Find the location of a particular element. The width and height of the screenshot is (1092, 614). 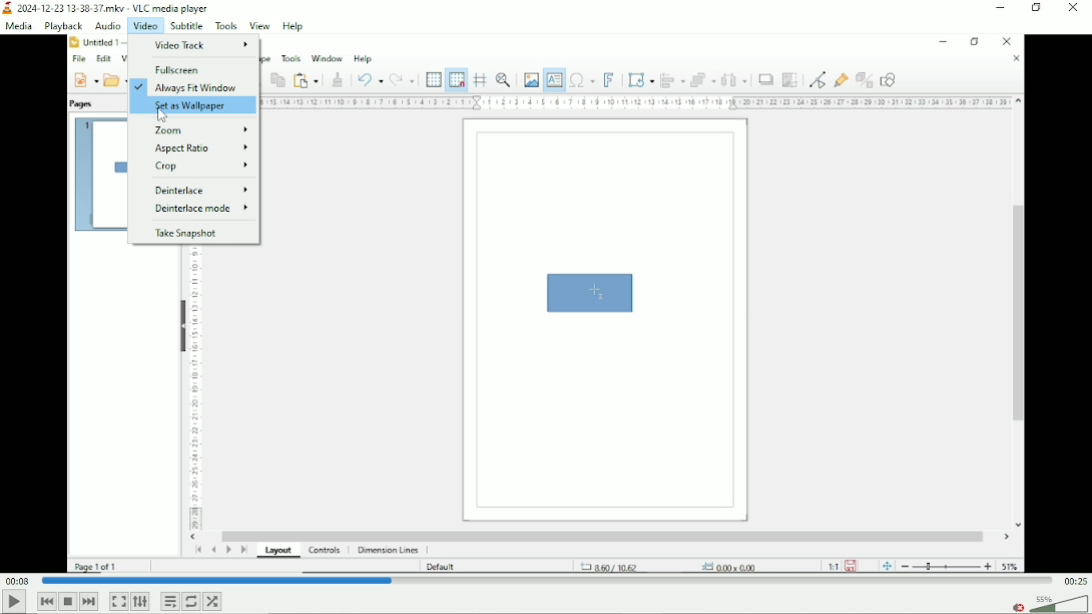

Deinterlace is located at coordinates (201, 189).